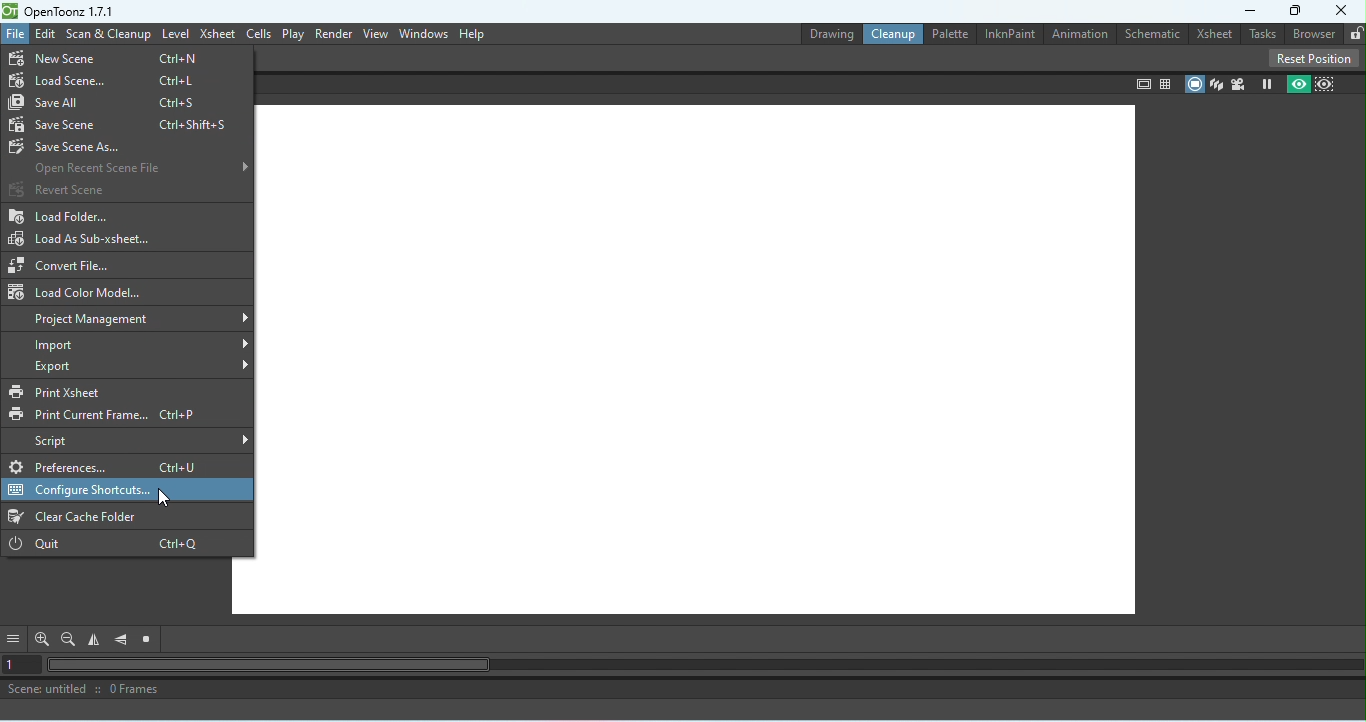  What do you see at coordinates (122, 640) in the screenshot?
I see `Flip vertically` at bounding box center [122, 640].